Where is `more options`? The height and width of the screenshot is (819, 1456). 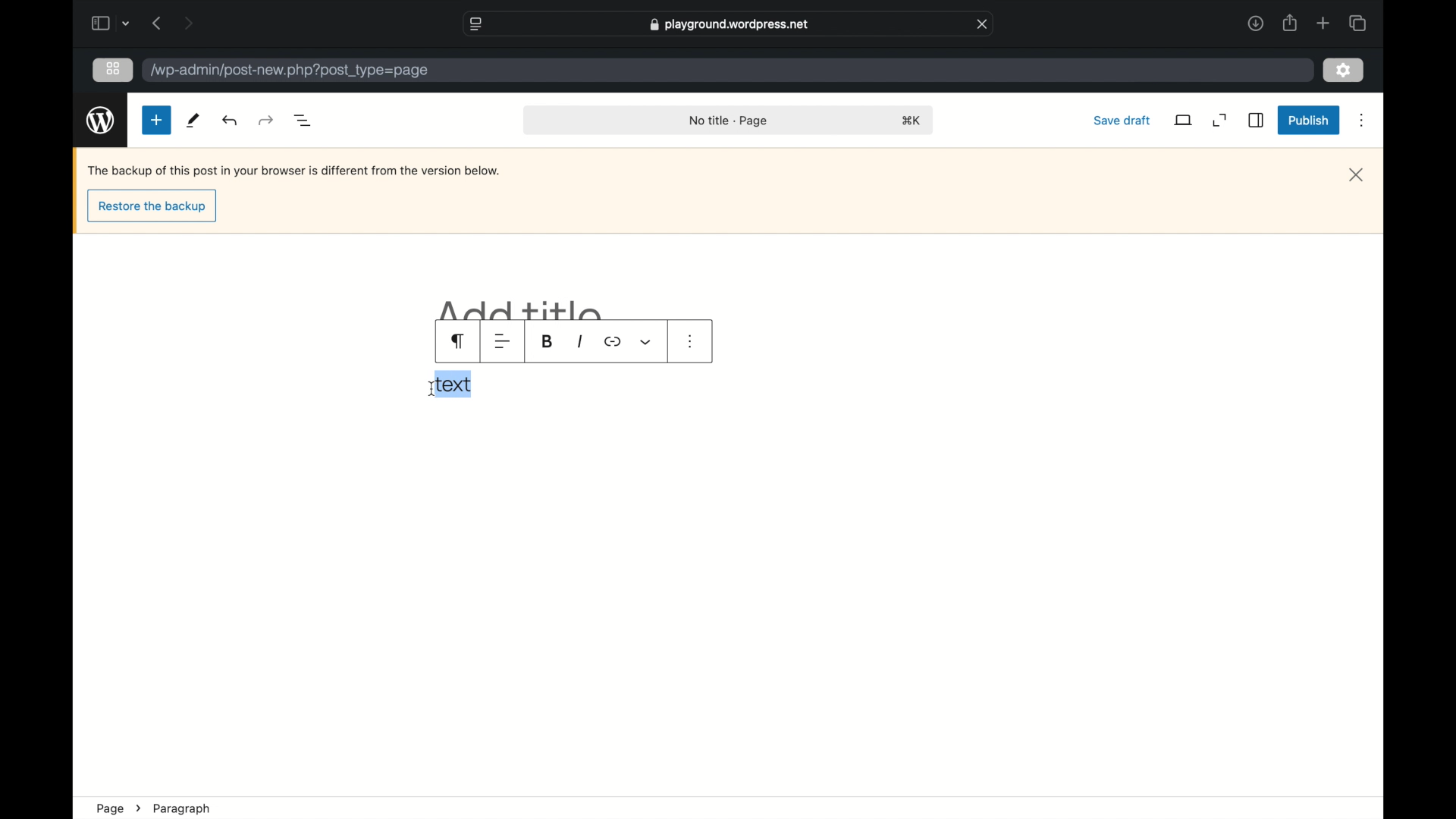 more options is located at coordinates (691, 341).